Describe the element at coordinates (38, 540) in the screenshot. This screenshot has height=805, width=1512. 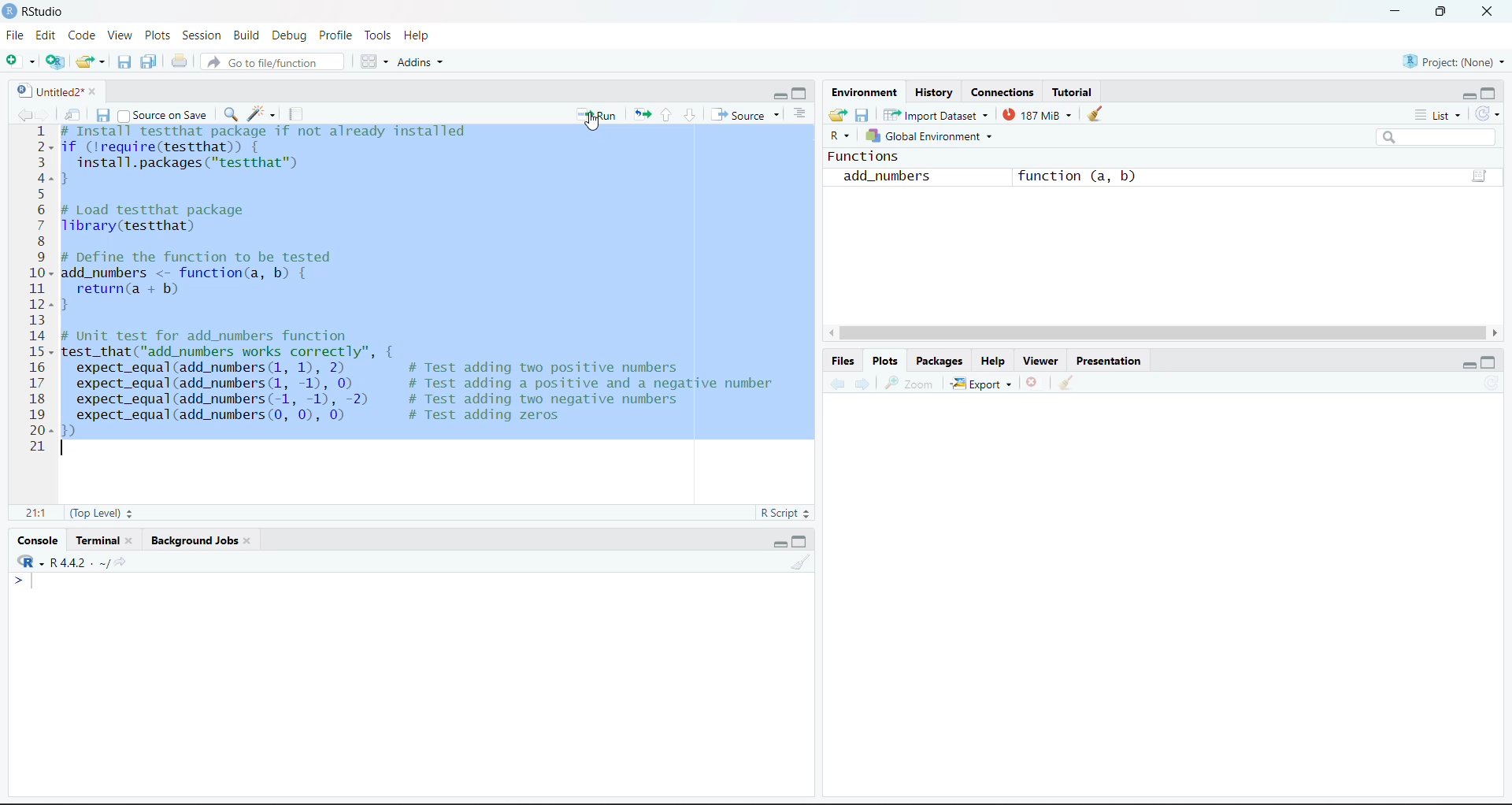
I see `console` at that location.